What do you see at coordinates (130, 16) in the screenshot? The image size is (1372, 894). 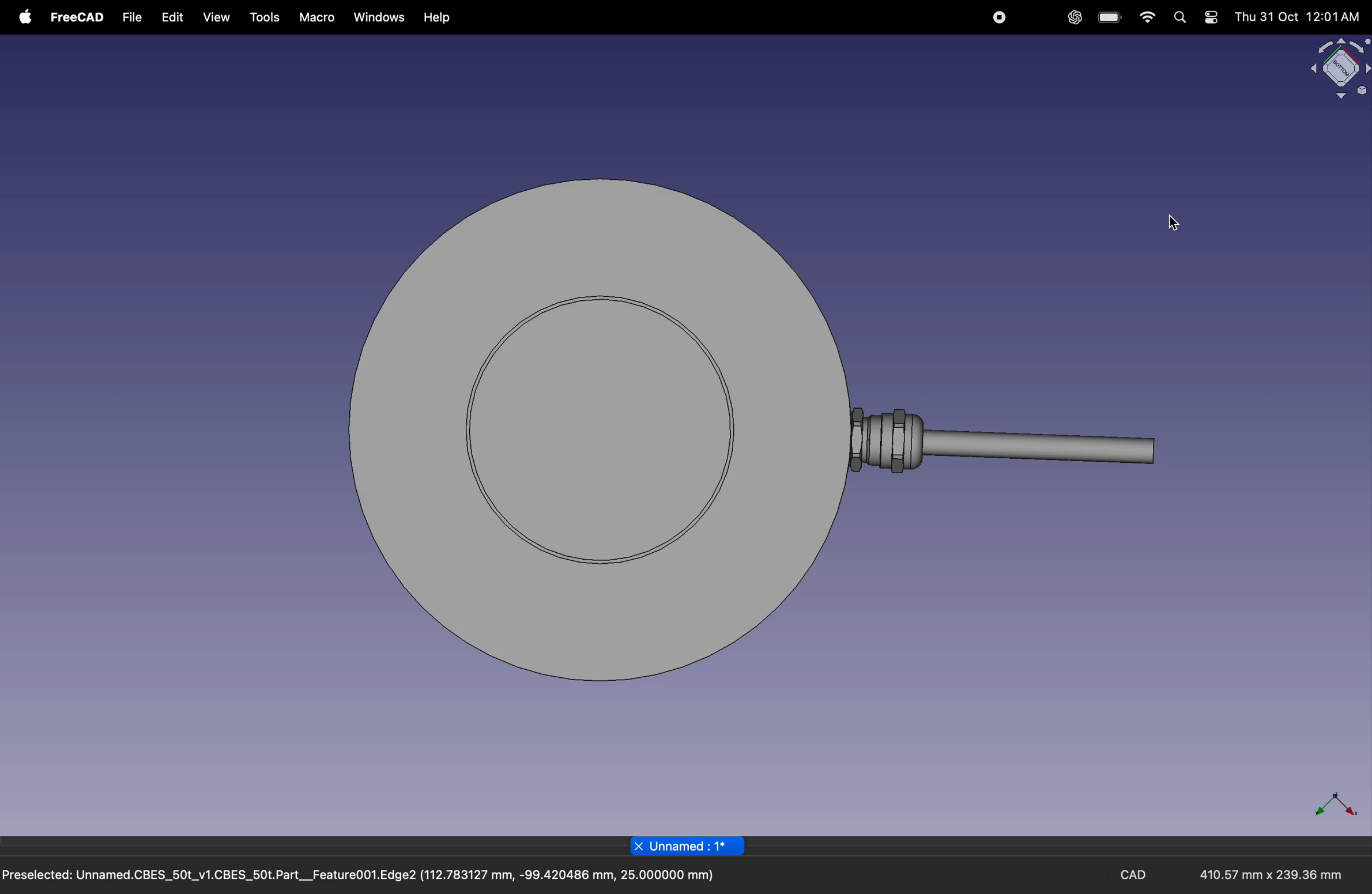 I see `file` at bounding box center [130, 16].